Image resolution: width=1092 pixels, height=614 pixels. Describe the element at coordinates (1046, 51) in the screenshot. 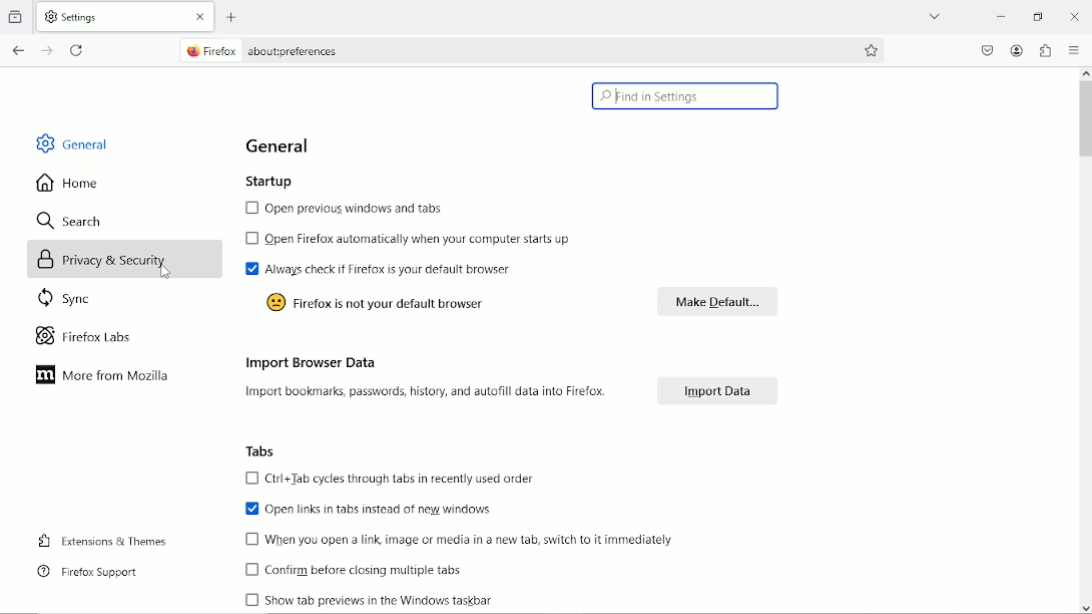

I see `extensions` at that location.